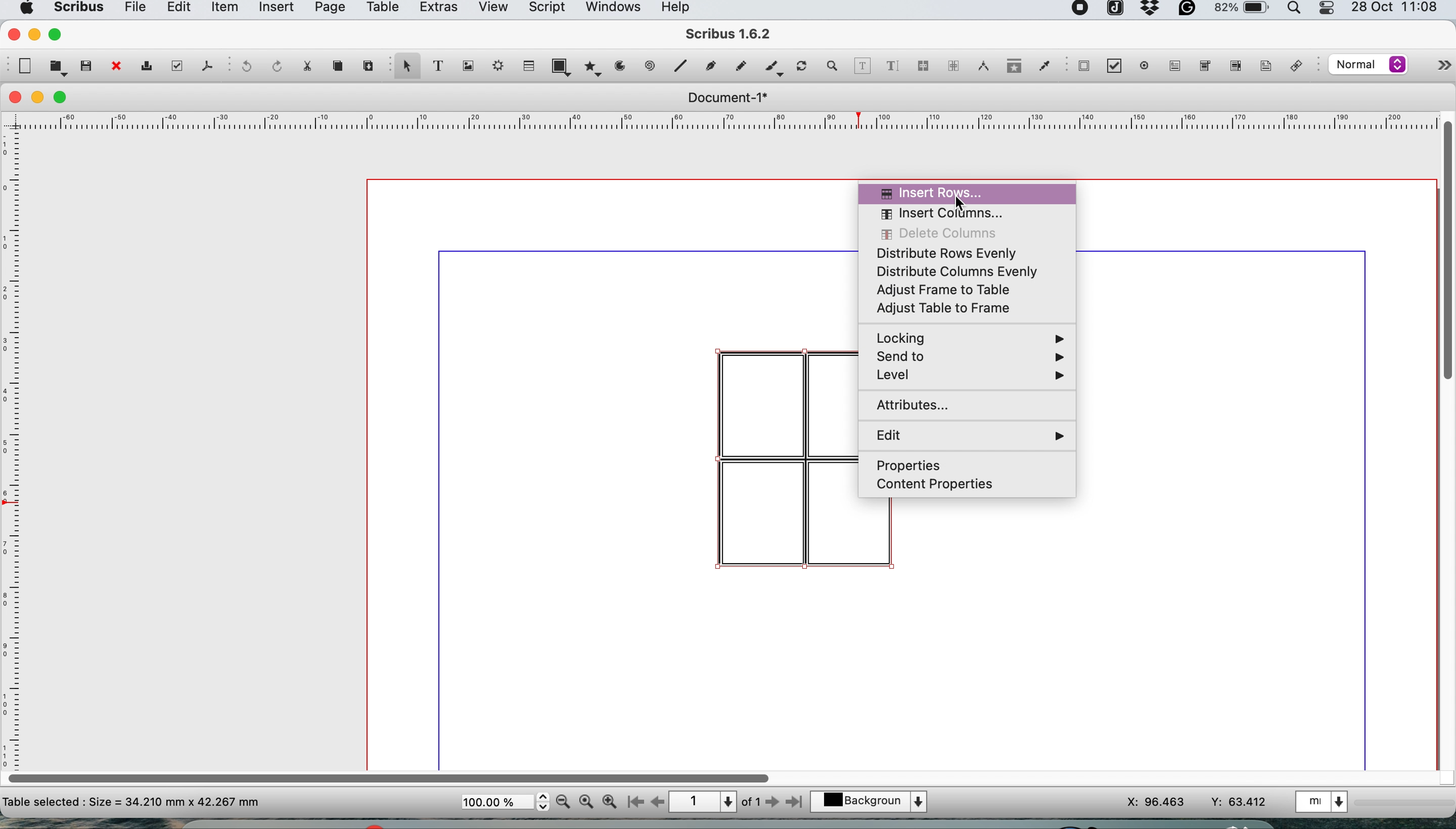  I want to click on send to, so click(971, 358).